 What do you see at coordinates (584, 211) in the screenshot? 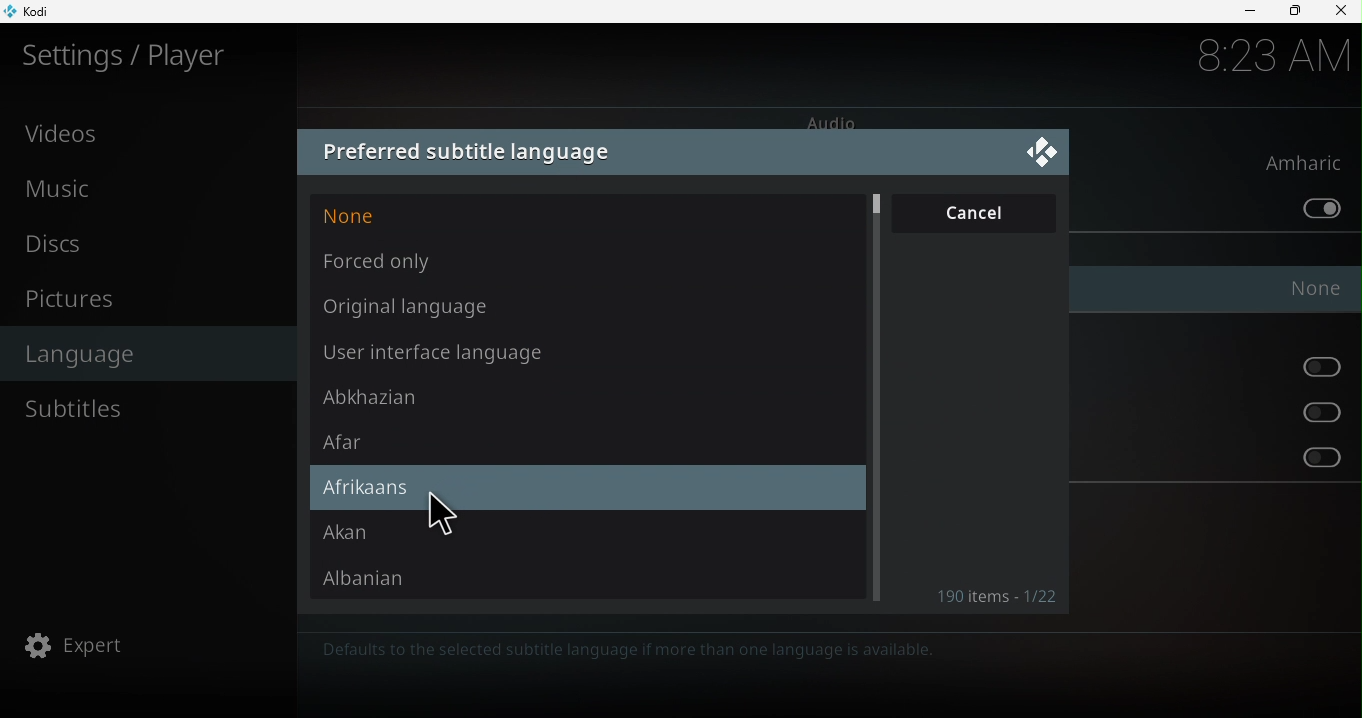
I see `None` at bounding box center [584, 211].